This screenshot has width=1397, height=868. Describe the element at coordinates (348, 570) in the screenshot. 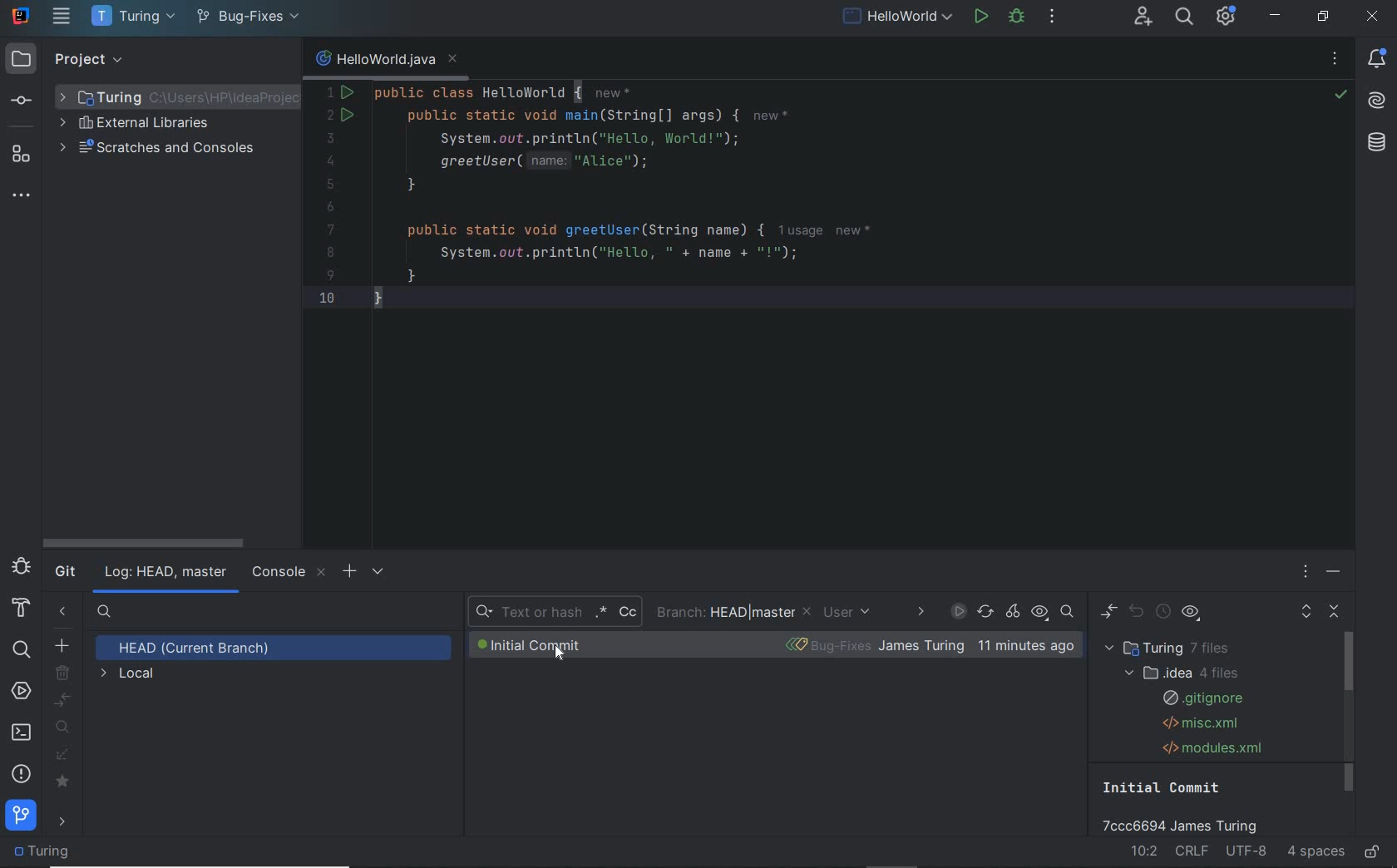

I see `OPEN NEW GIT LOG TAB` at that location.